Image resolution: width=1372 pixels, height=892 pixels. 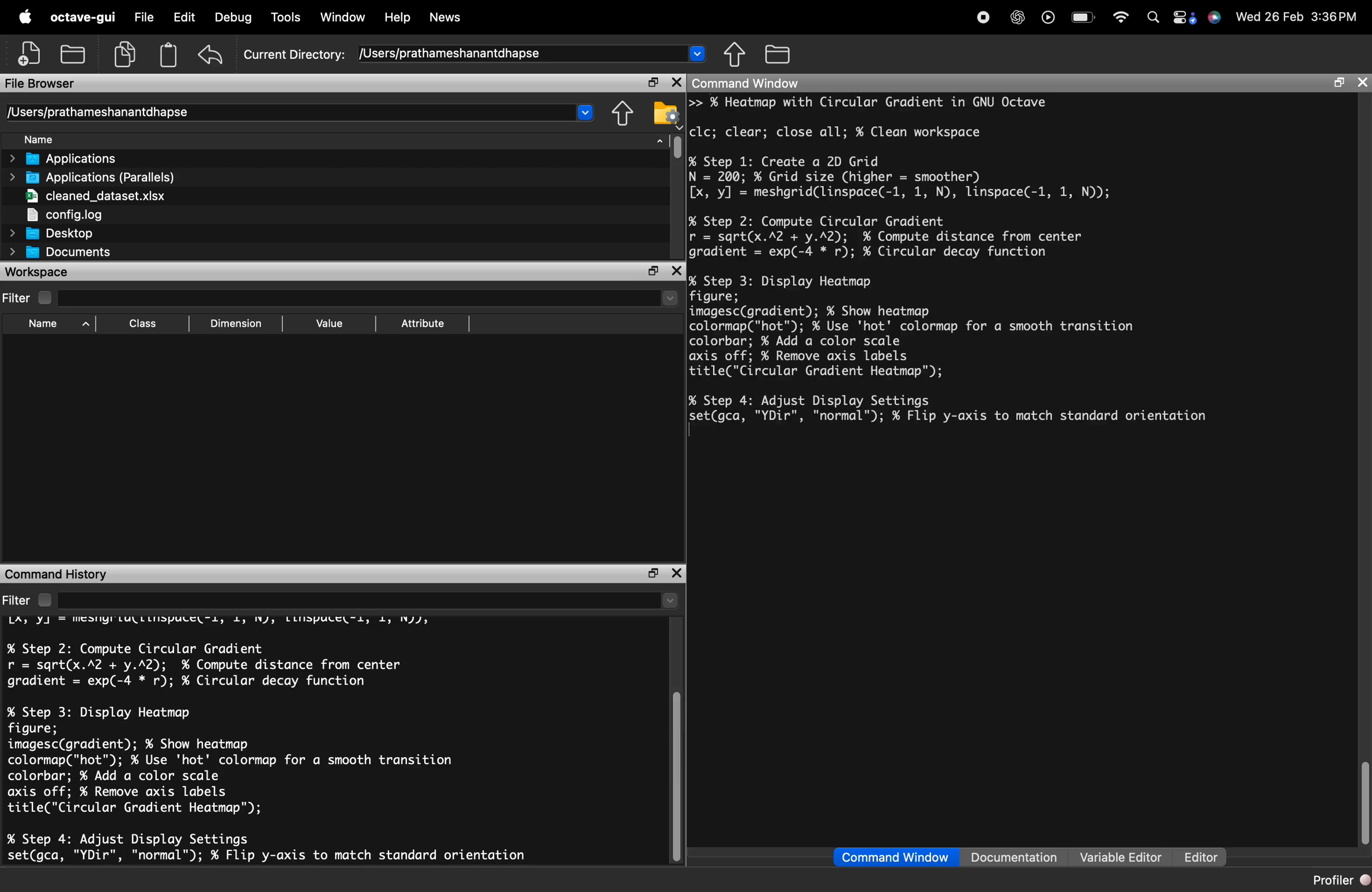 I want to click on Desktop, so click(x=66, y=233).